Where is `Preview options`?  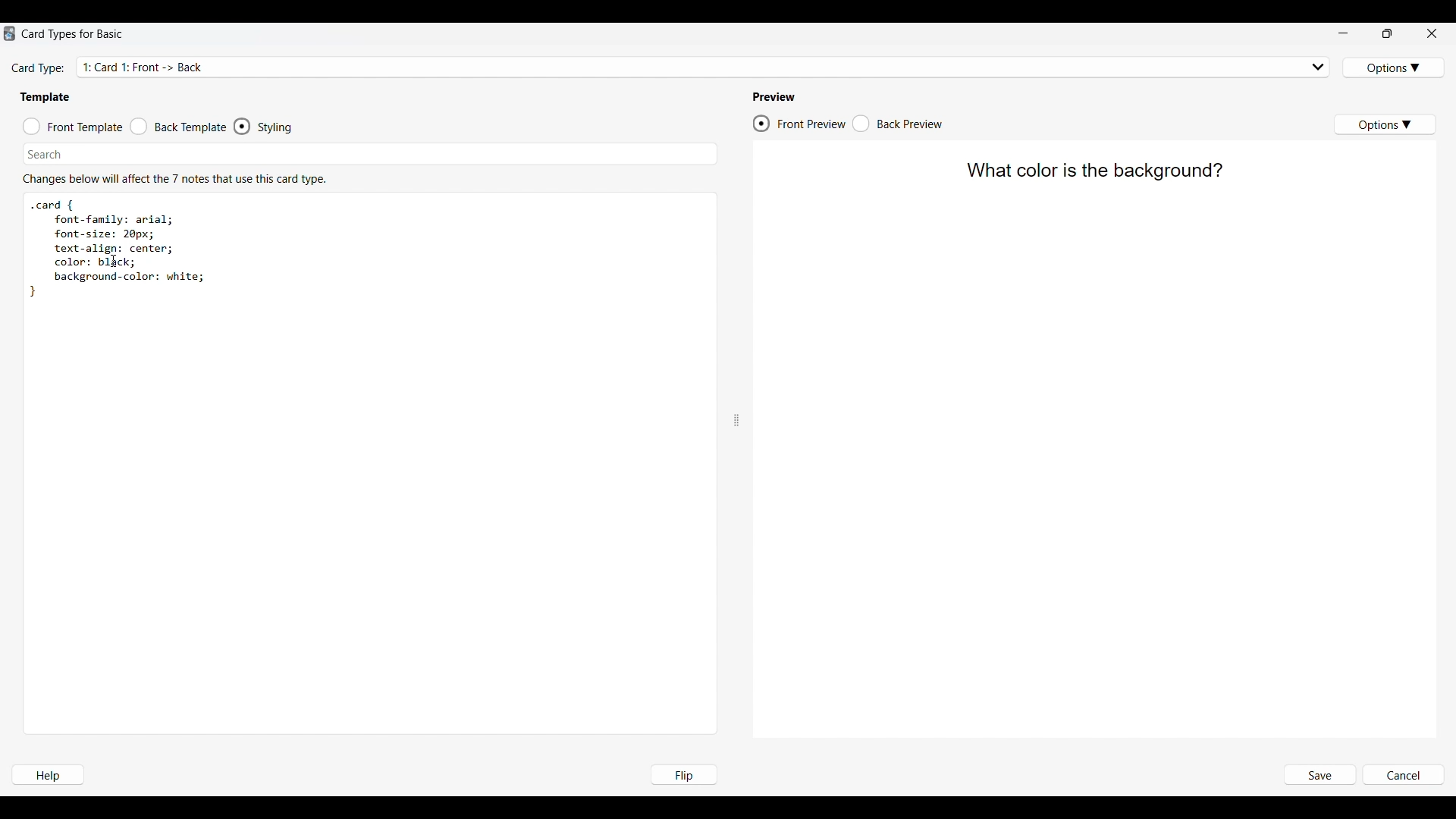 Preview options is located at coordinates (1384, 124).